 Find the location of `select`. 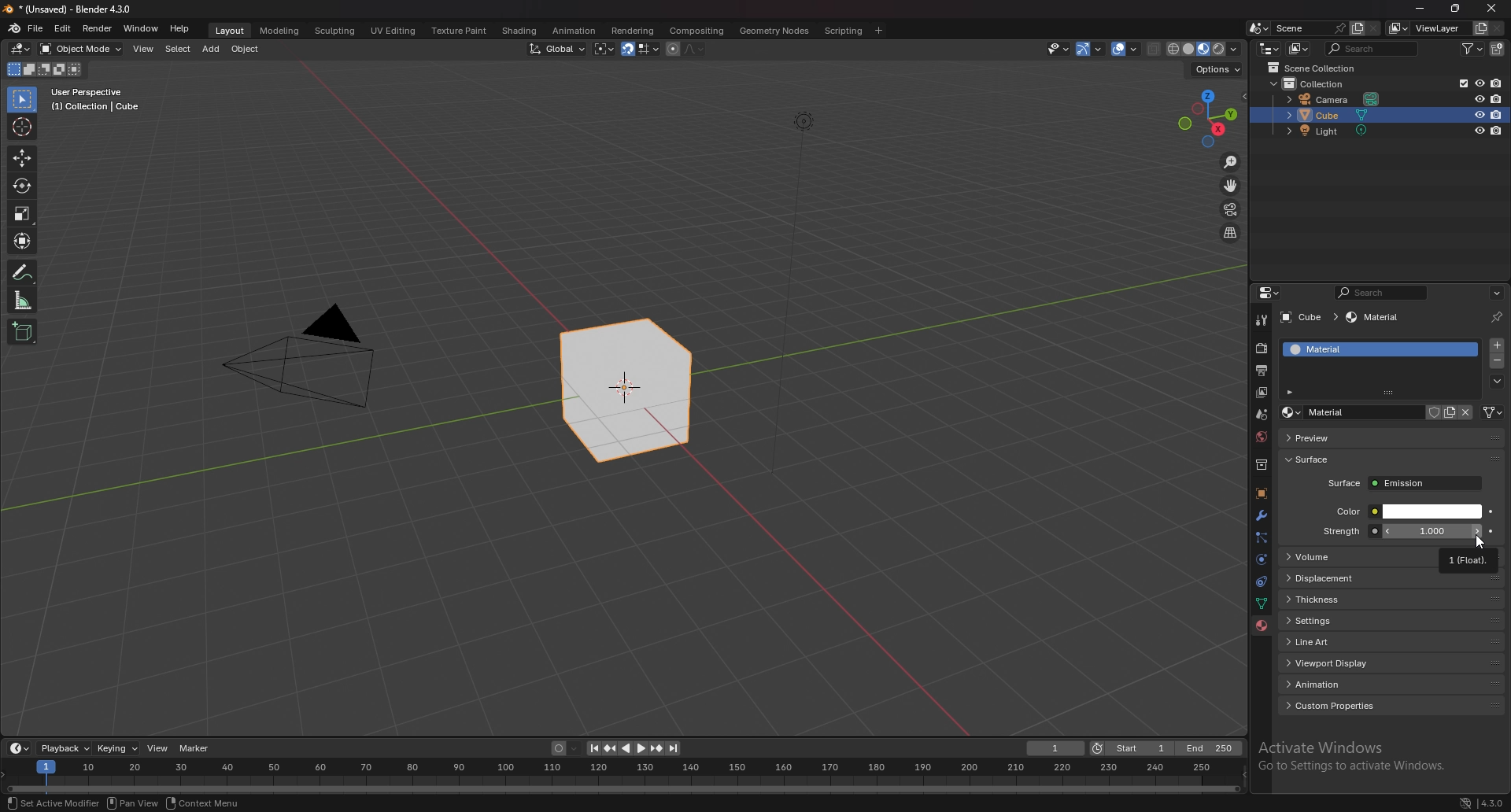

select is located at coordinates (178, 50).